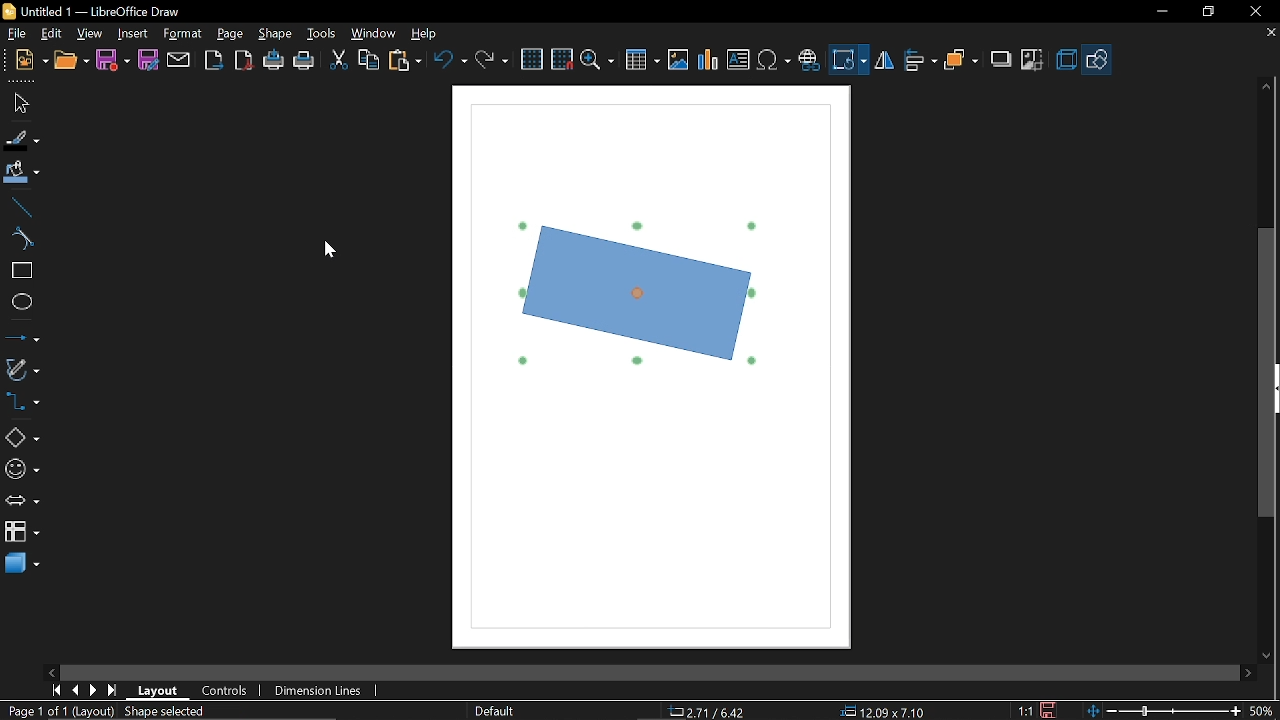 The height and width of the screenshot is (720, 1280). I want to click on -22.64/-1.48, so click(720, 711).